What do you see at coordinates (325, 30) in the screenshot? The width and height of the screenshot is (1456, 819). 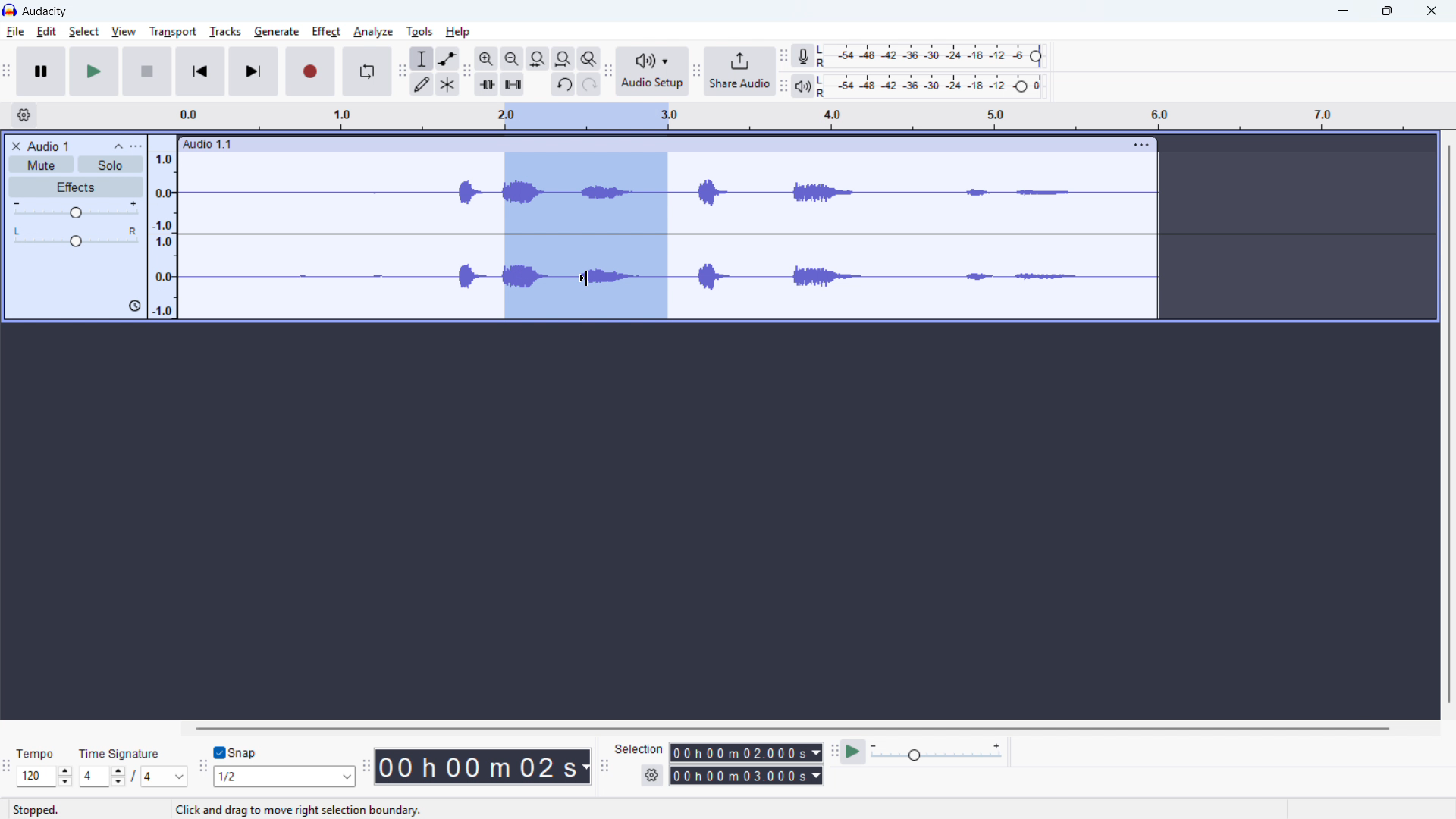 I see `Perfect` at bounding box center [325, 30].